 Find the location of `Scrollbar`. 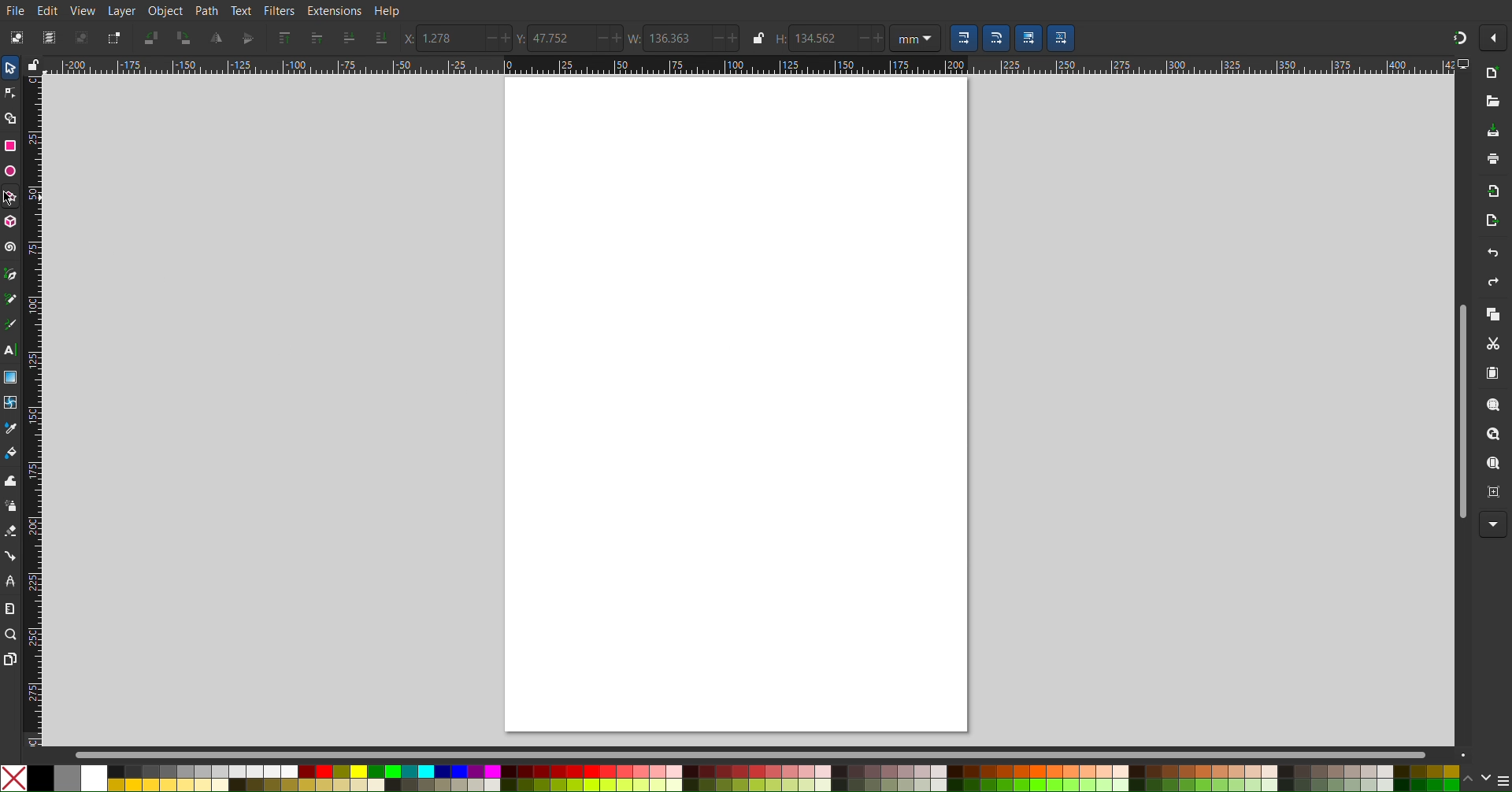

Scrollbar is located at coordinates (1458, 410).